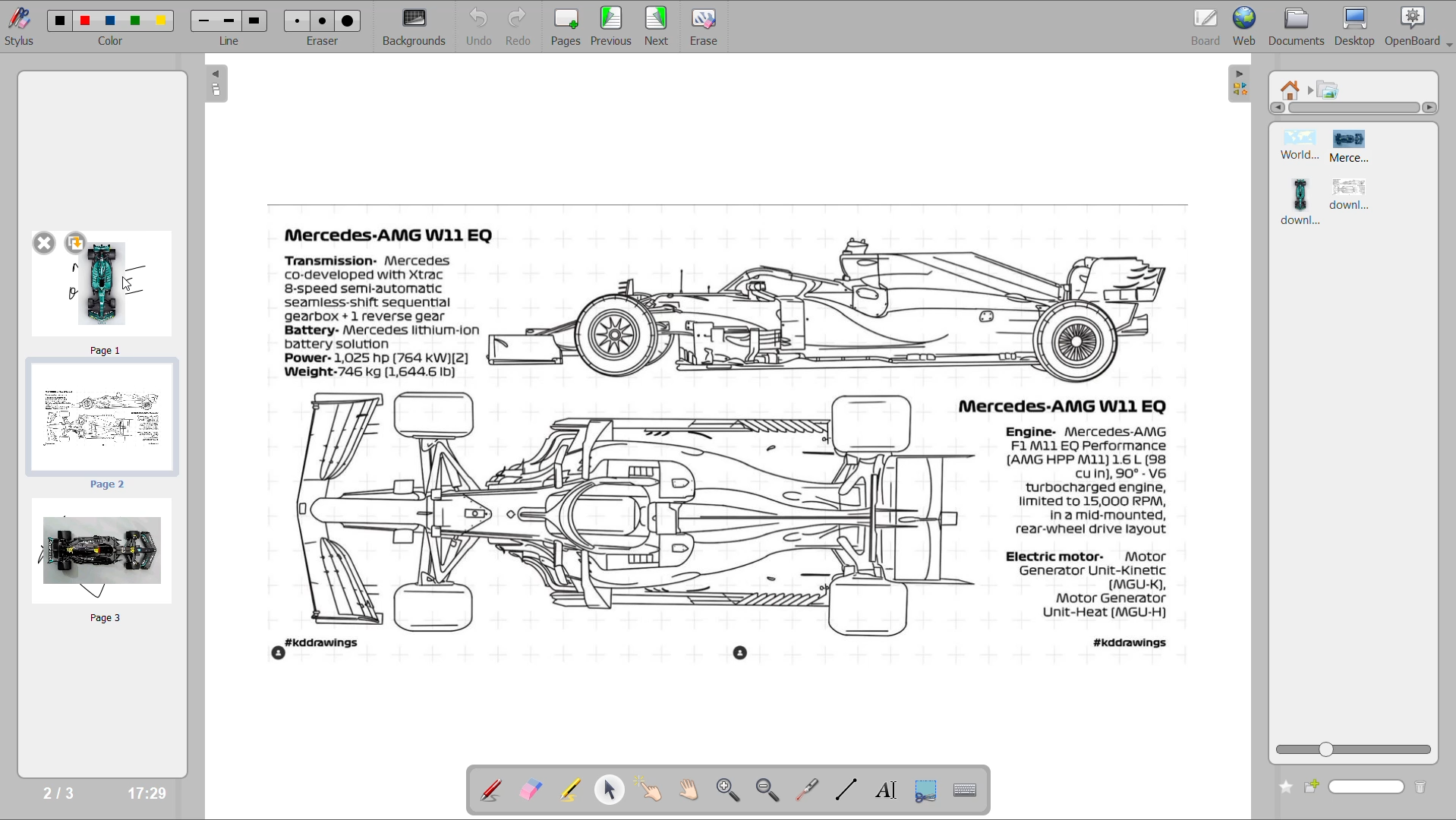 The image size is (1456, 820). What do you see at coordinates (110, 43) in the screenshot?
I see `color` at bounding box center [110, 43].